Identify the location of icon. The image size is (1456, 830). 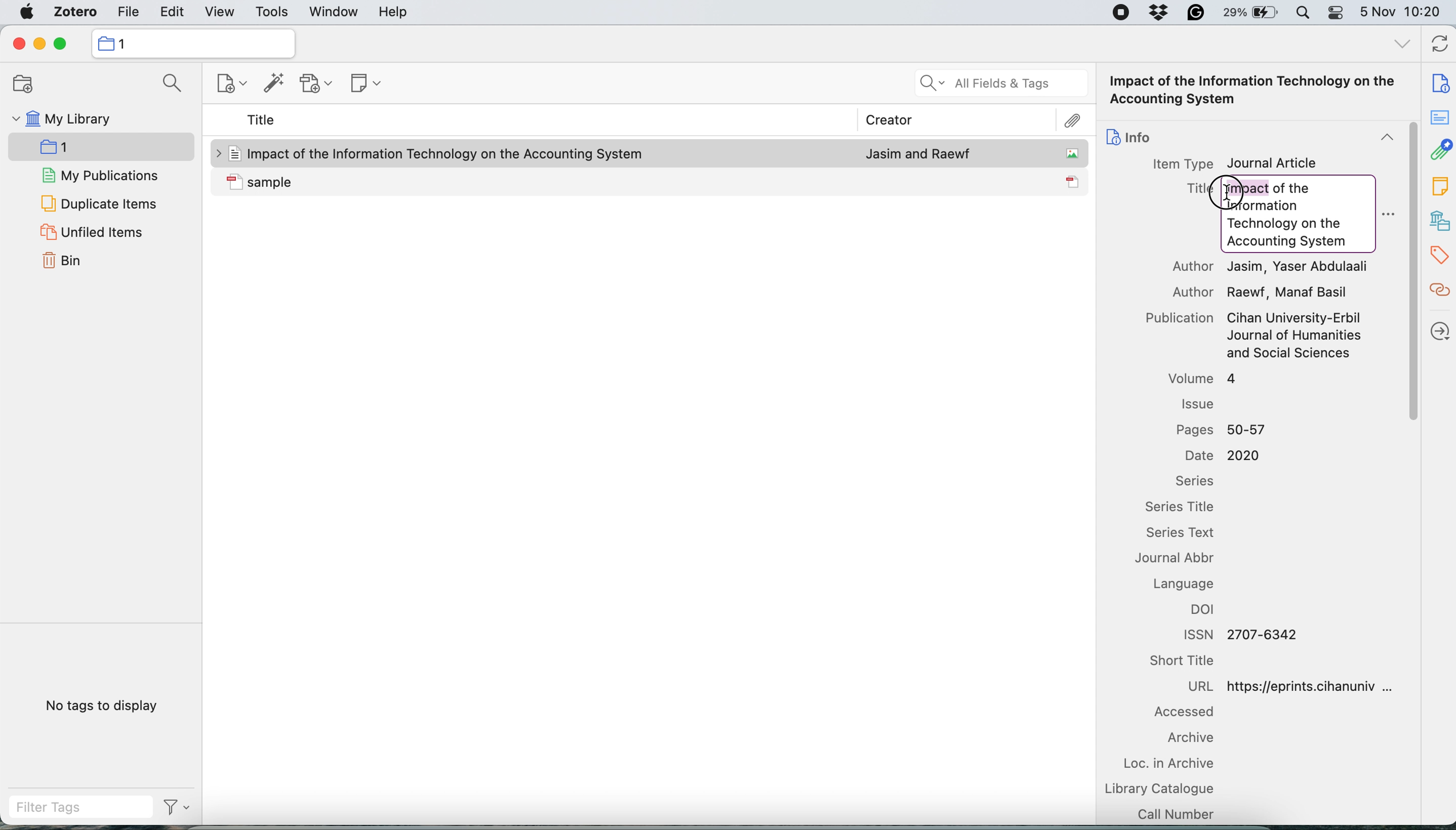
(233, 153).